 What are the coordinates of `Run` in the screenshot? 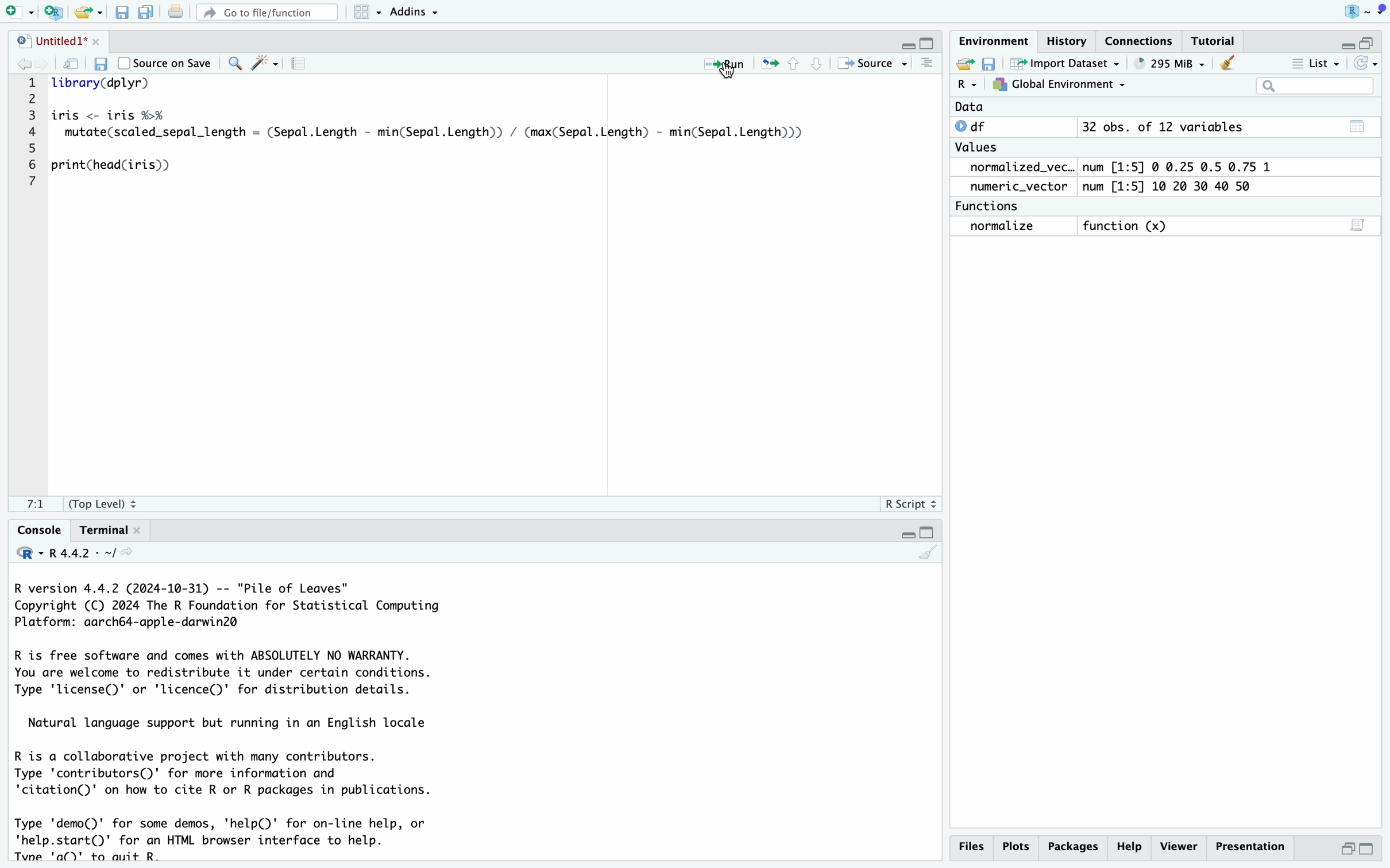 It's located at (717, 64).